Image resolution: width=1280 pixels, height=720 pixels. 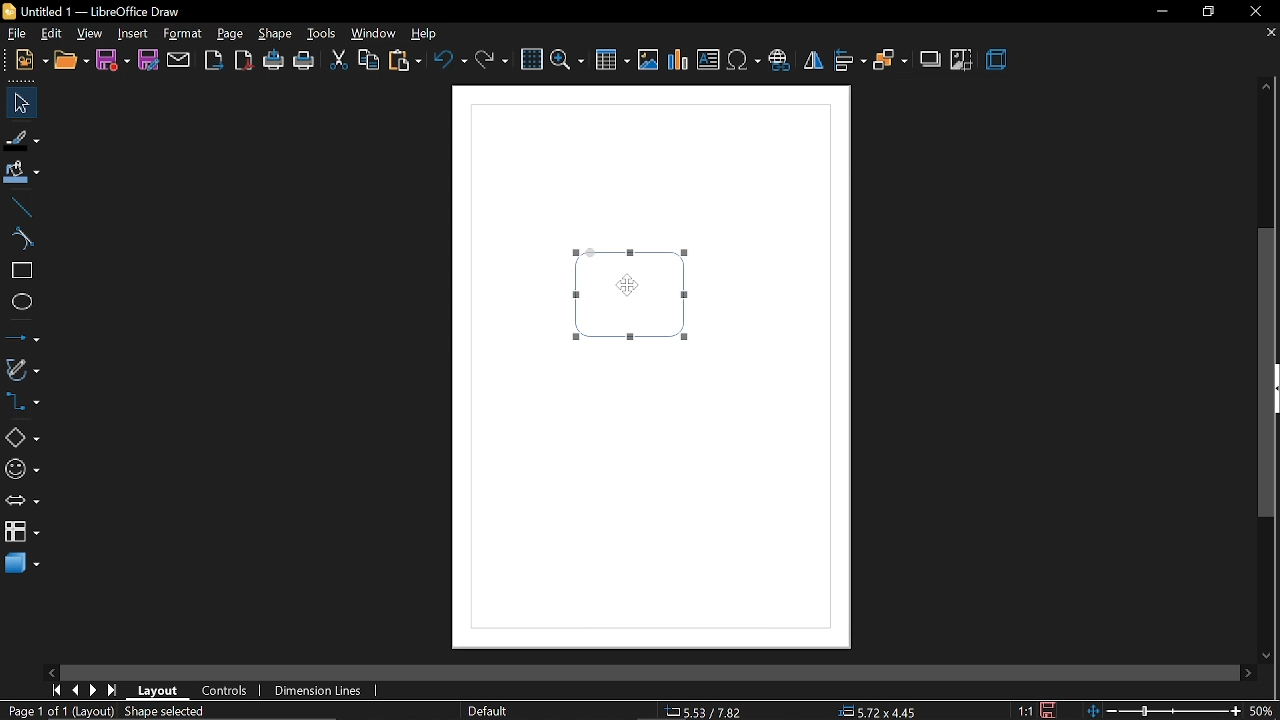 I want to click on print, so click(x=305, y=64).